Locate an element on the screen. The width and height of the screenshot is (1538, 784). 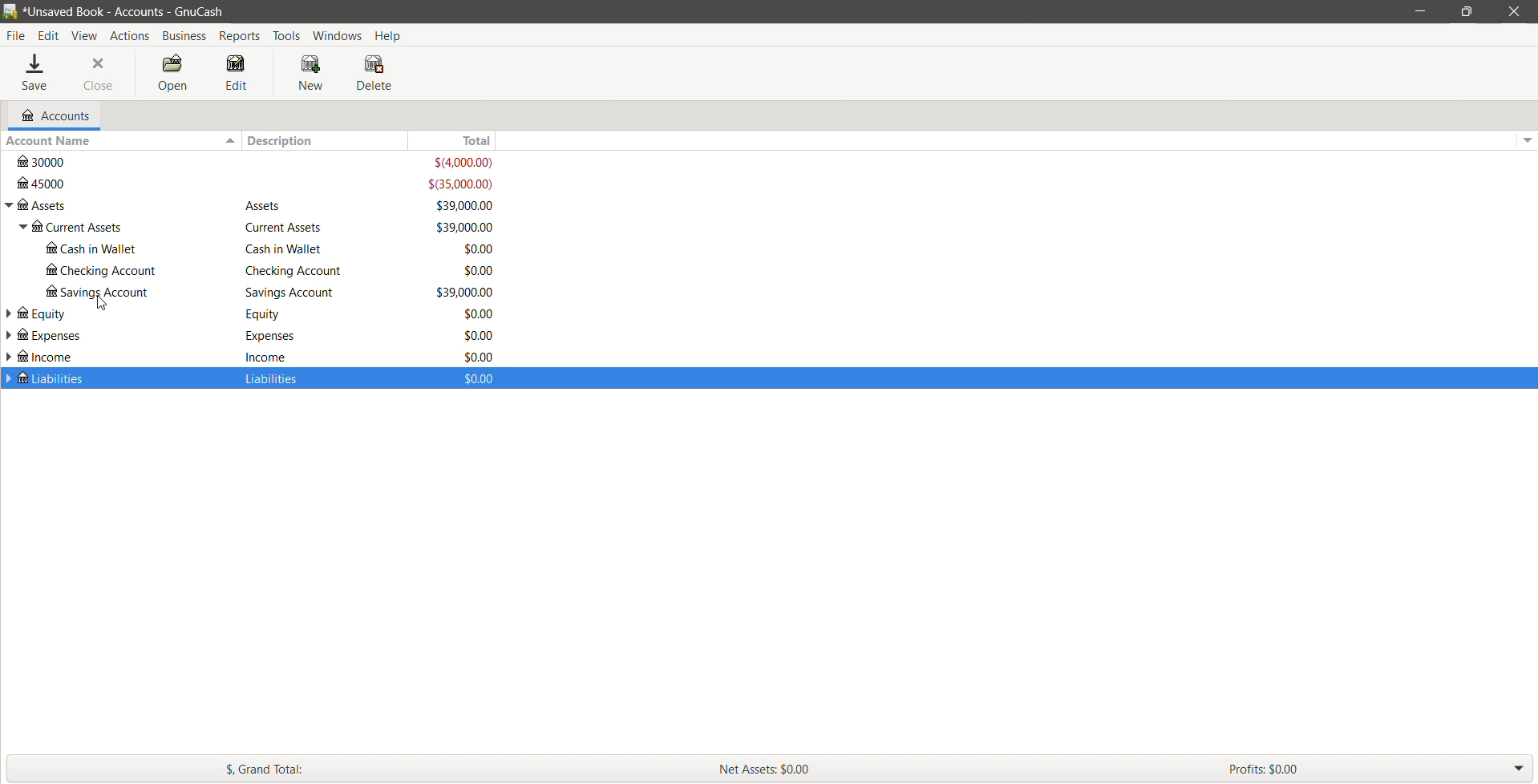
Help is located at coordinates (390, 35).